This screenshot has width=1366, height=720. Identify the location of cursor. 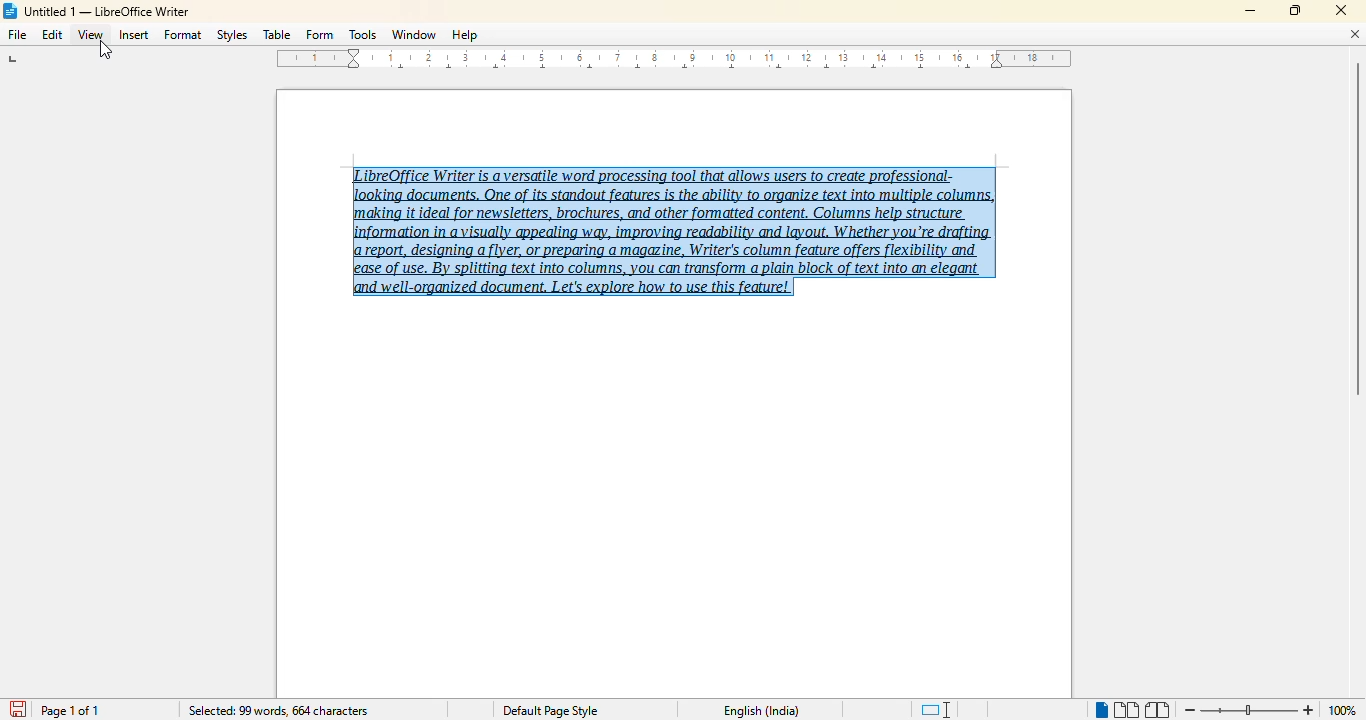
(106, 51).